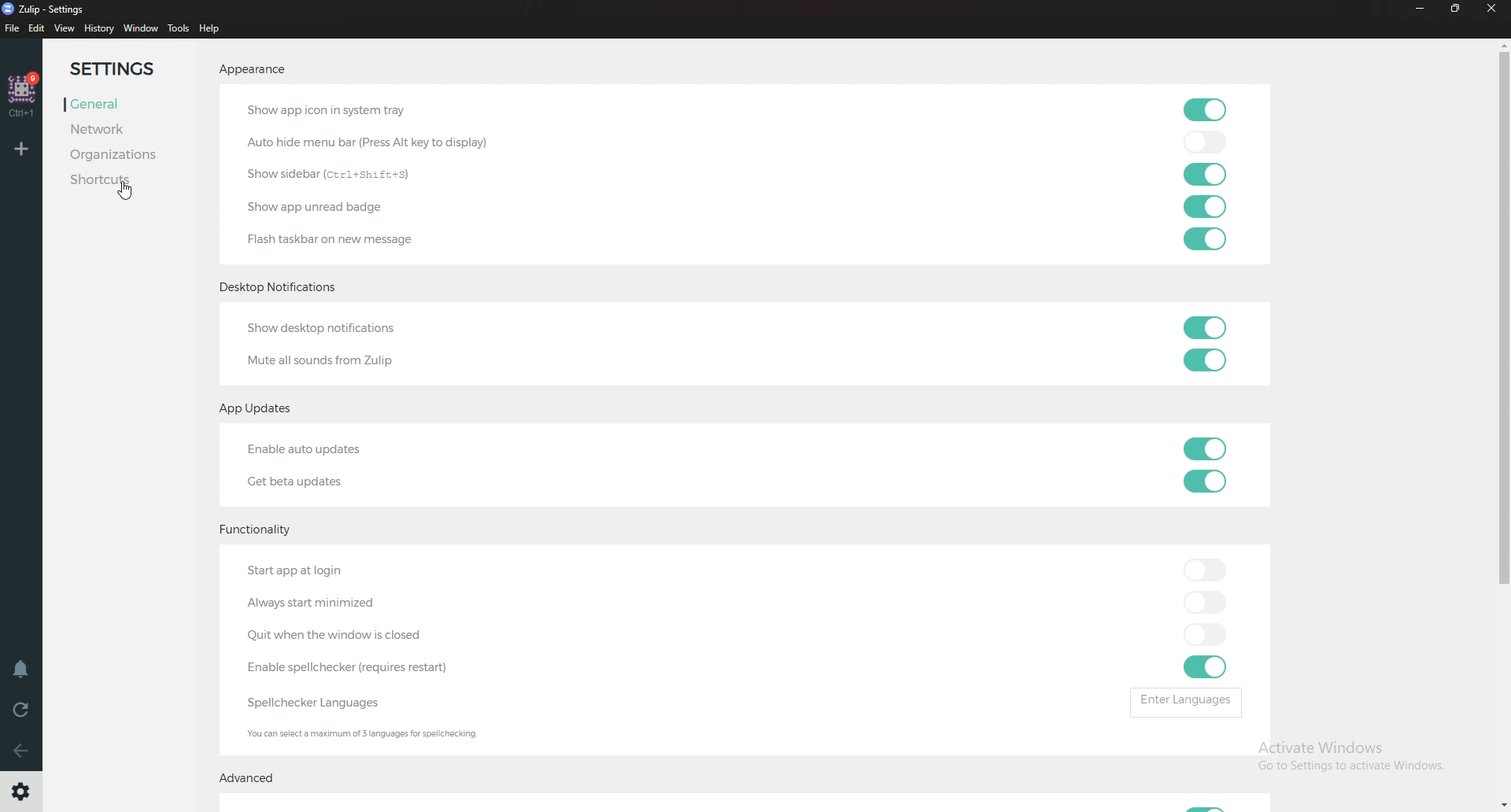 Image resolution: width=1511 pixels, height=812 pixels. I want to click on Go back, so click(20, 749).